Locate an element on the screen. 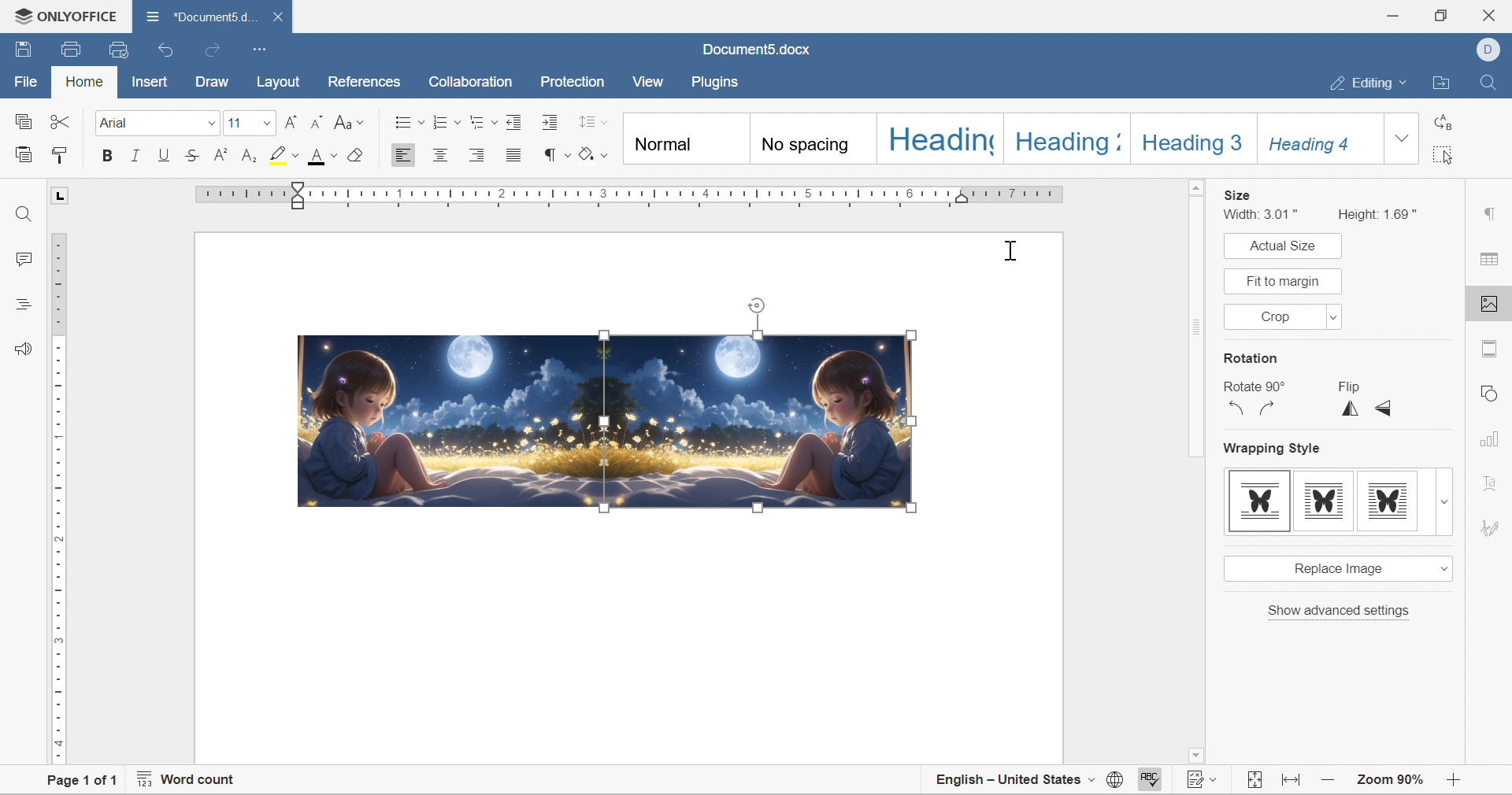 This screenshot has height=795, width=1512. actual size is located at coordinates (1279, 246).